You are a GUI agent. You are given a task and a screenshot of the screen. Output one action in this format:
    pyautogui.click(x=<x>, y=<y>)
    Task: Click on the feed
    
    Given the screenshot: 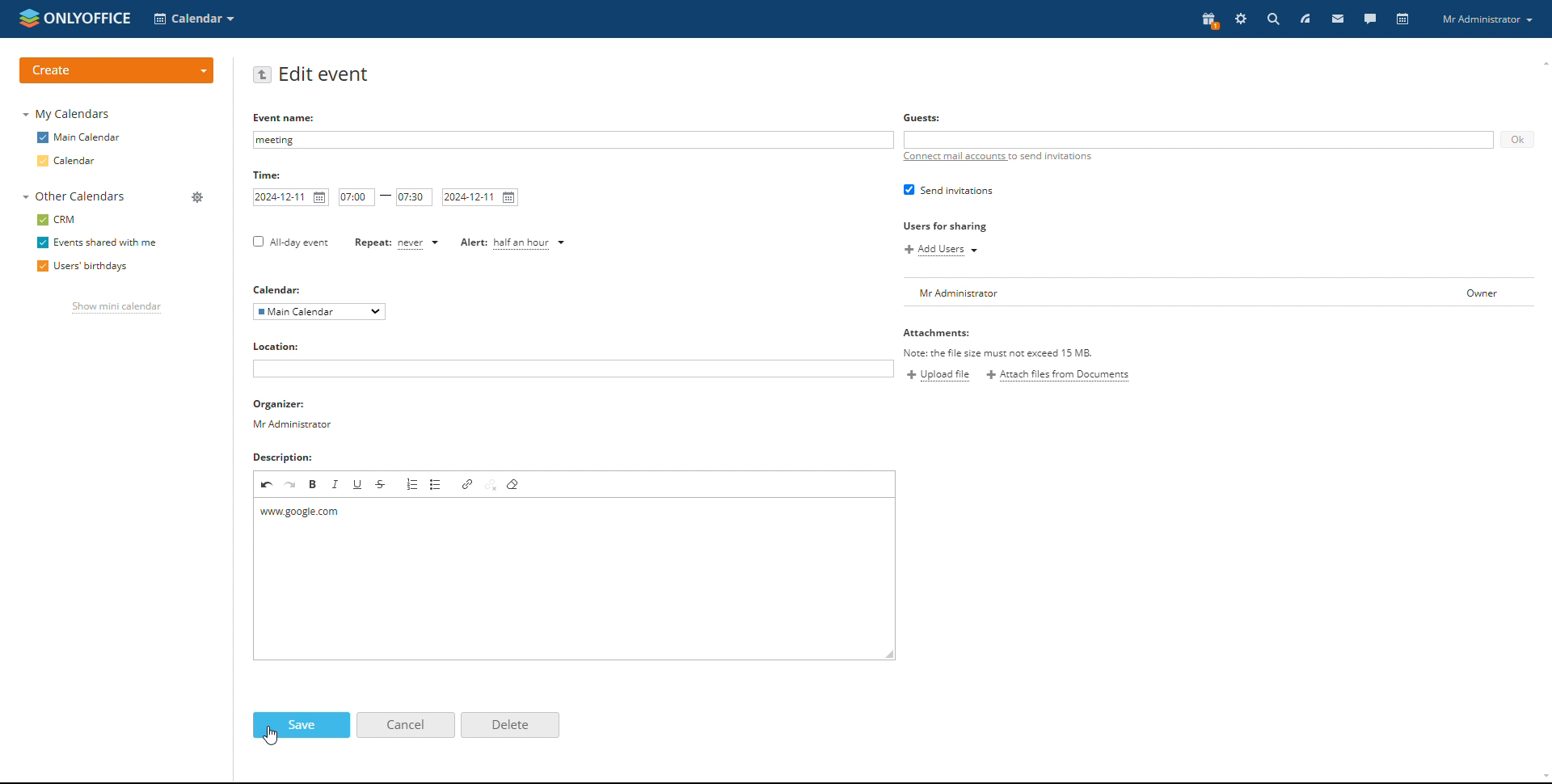 What is the action you would take?
    pyautogui.click(x=1305, y=19)
    